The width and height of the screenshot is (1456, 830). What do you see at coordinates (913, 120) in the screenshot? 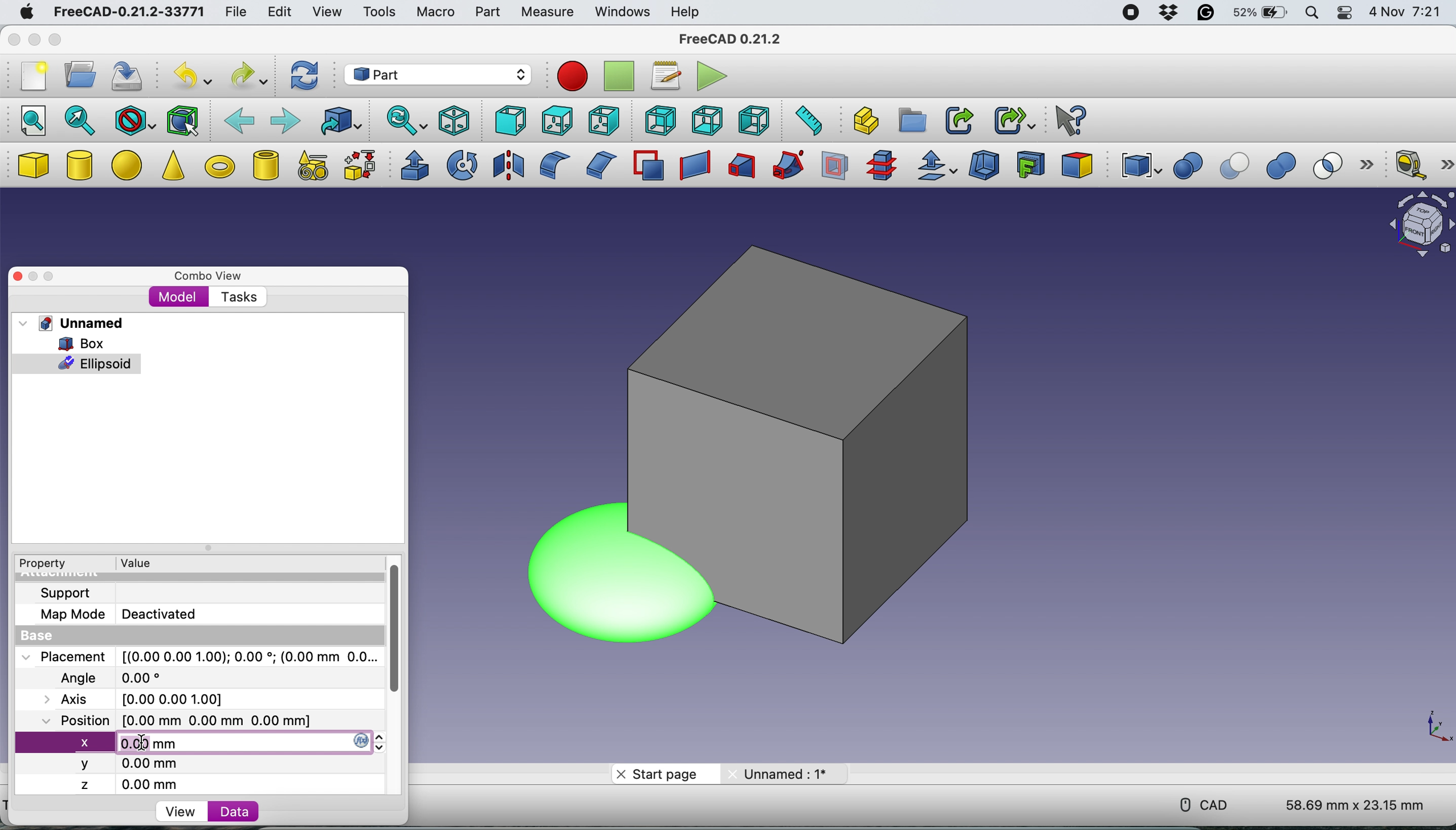
I see `create group` at bounding box center [913, 120].